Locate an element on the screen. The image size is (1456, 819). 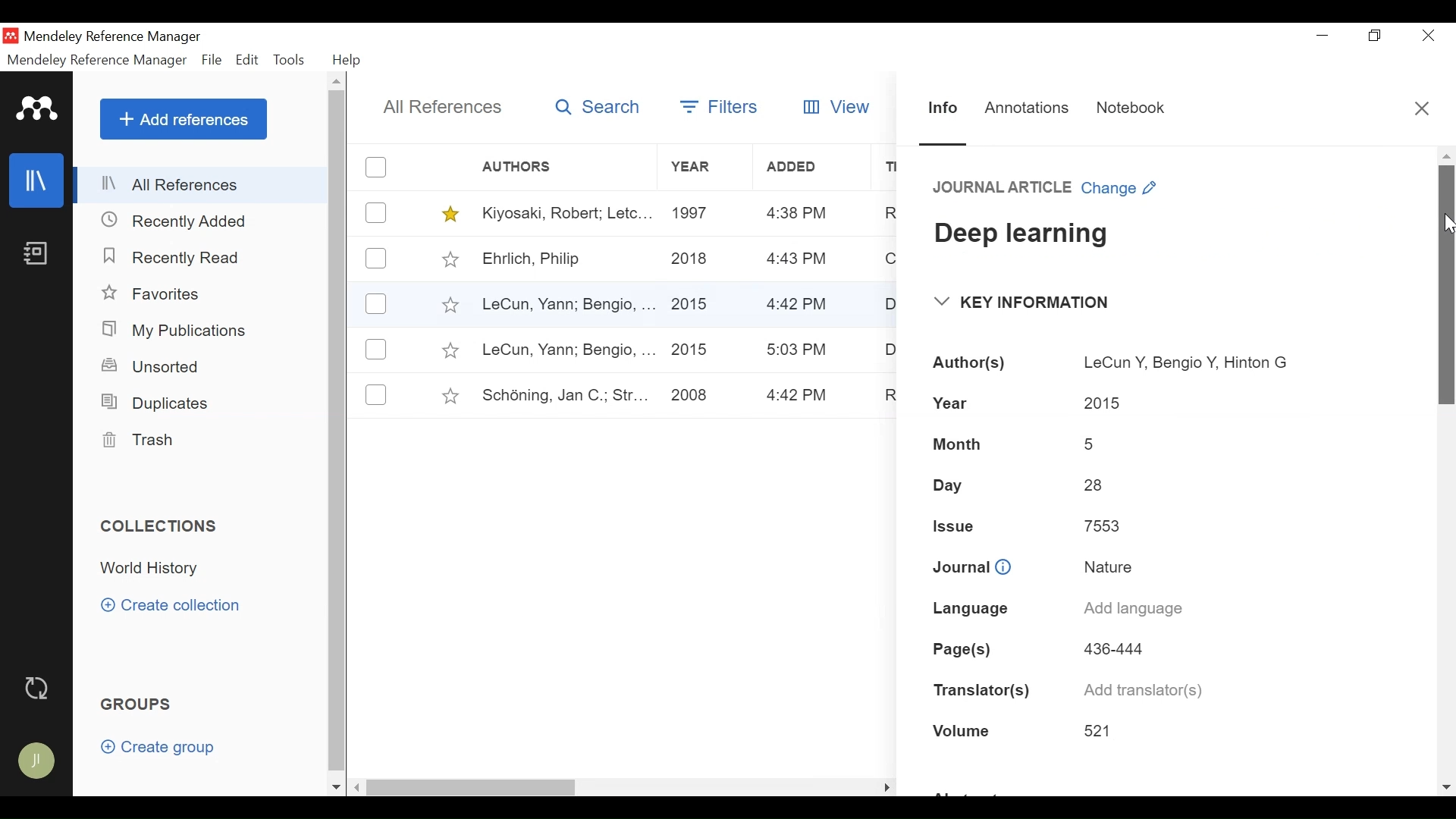
2008 is located at coordinates (689, 395).